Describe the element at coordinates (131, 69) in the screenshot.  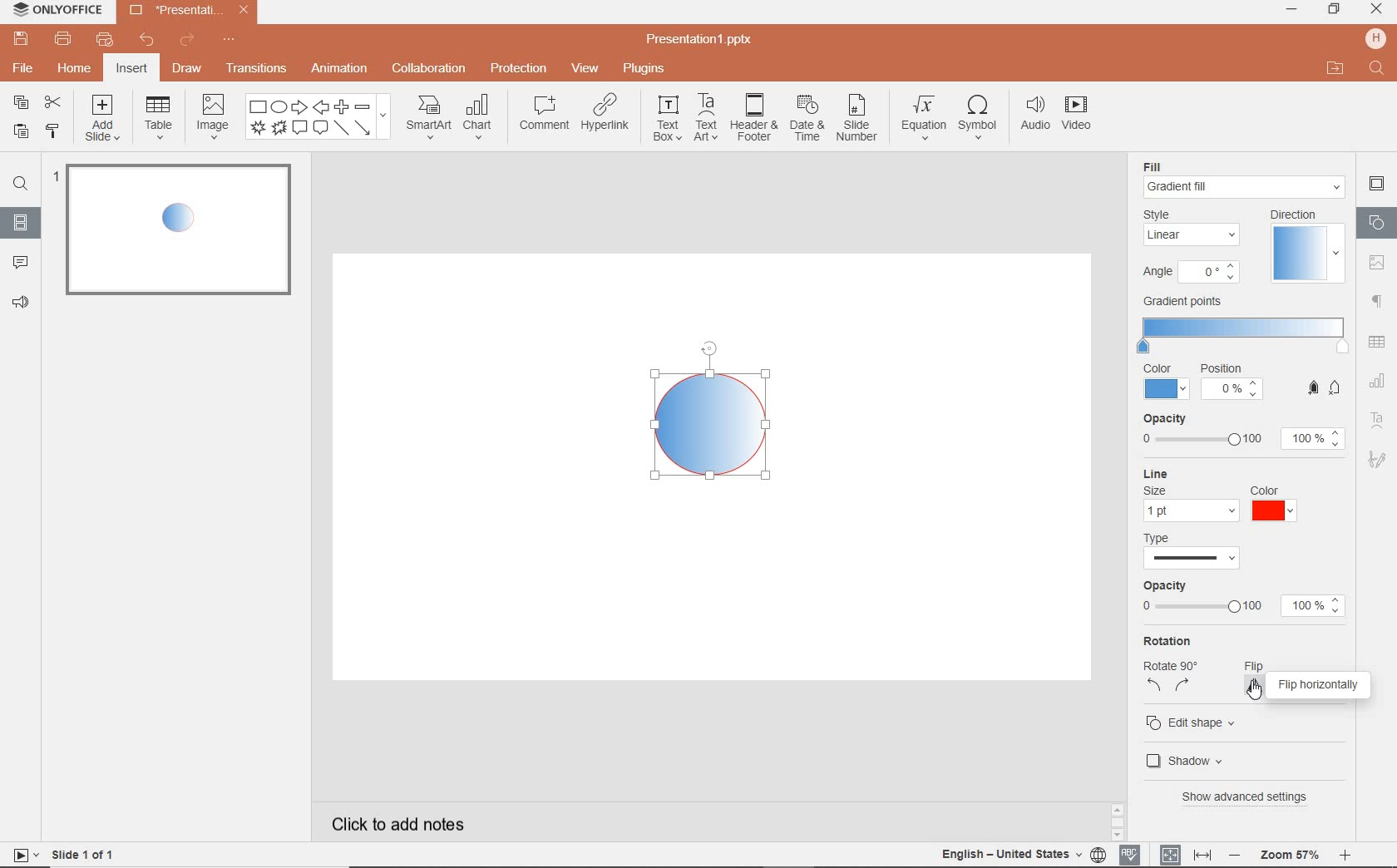
I see `insert` at that location.